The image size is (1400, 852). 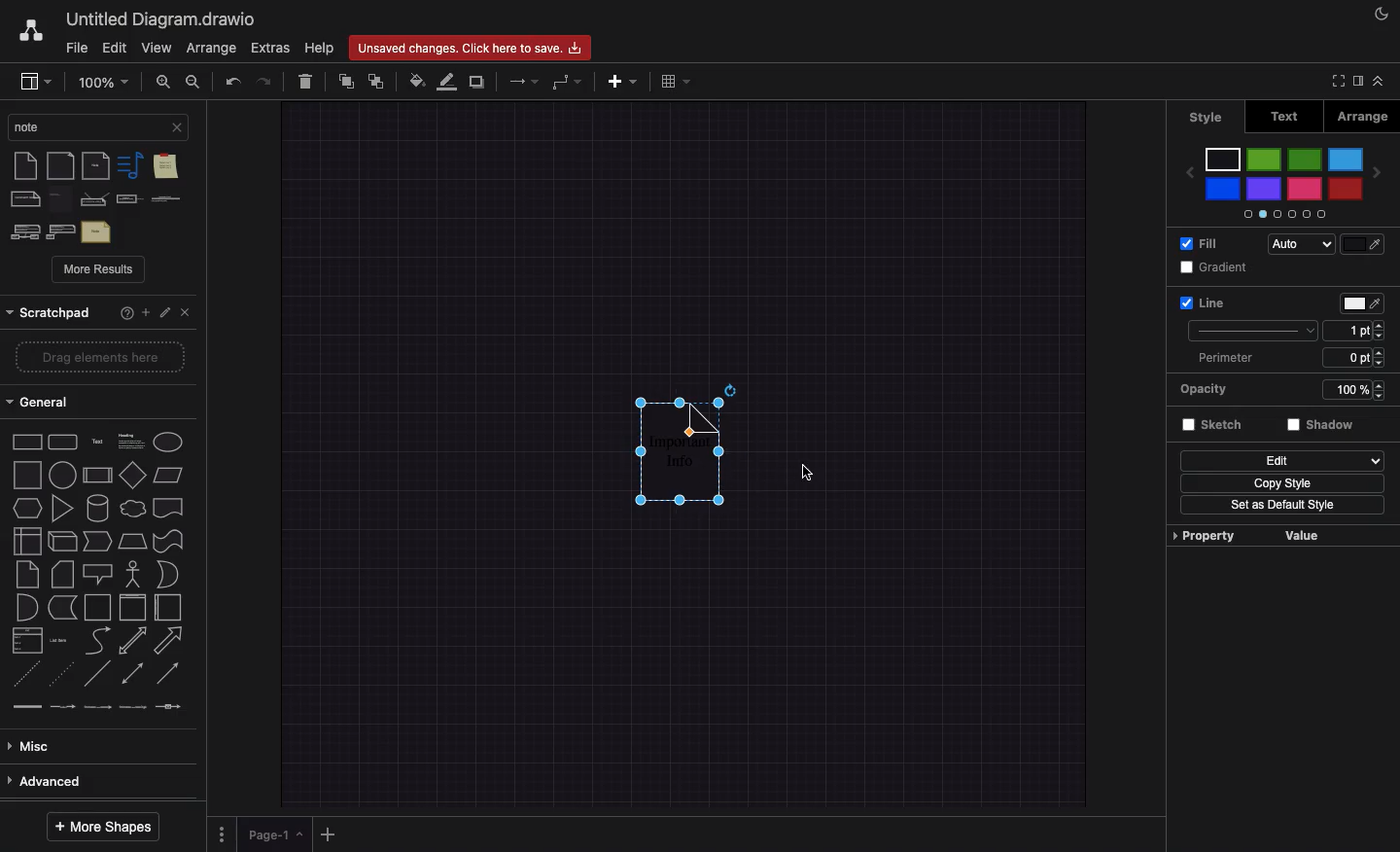 I want to click on note , so click(x=23, y=166).